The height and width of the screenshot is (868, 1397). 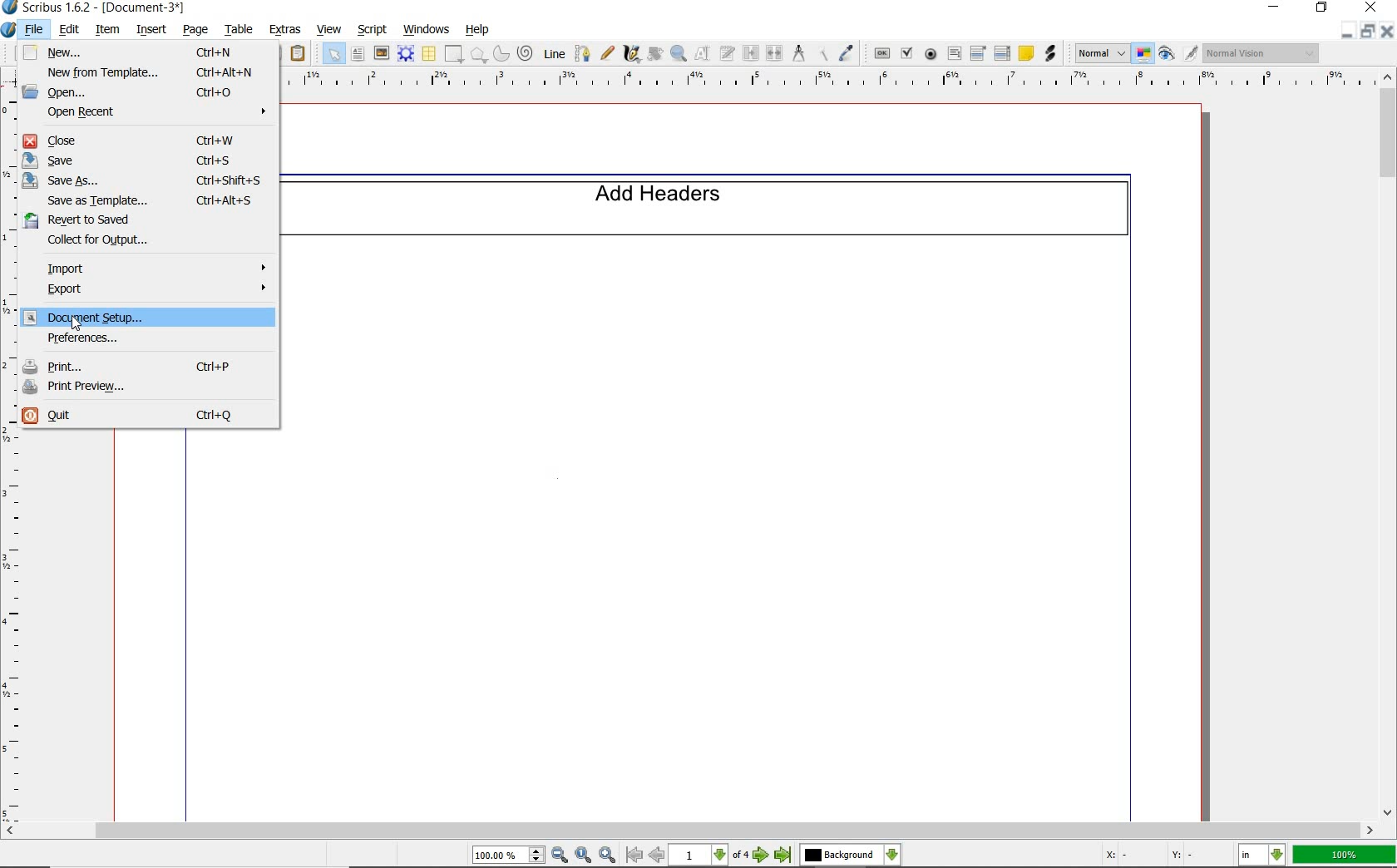 I want to click on rotate item, so click(x=654, y=55).